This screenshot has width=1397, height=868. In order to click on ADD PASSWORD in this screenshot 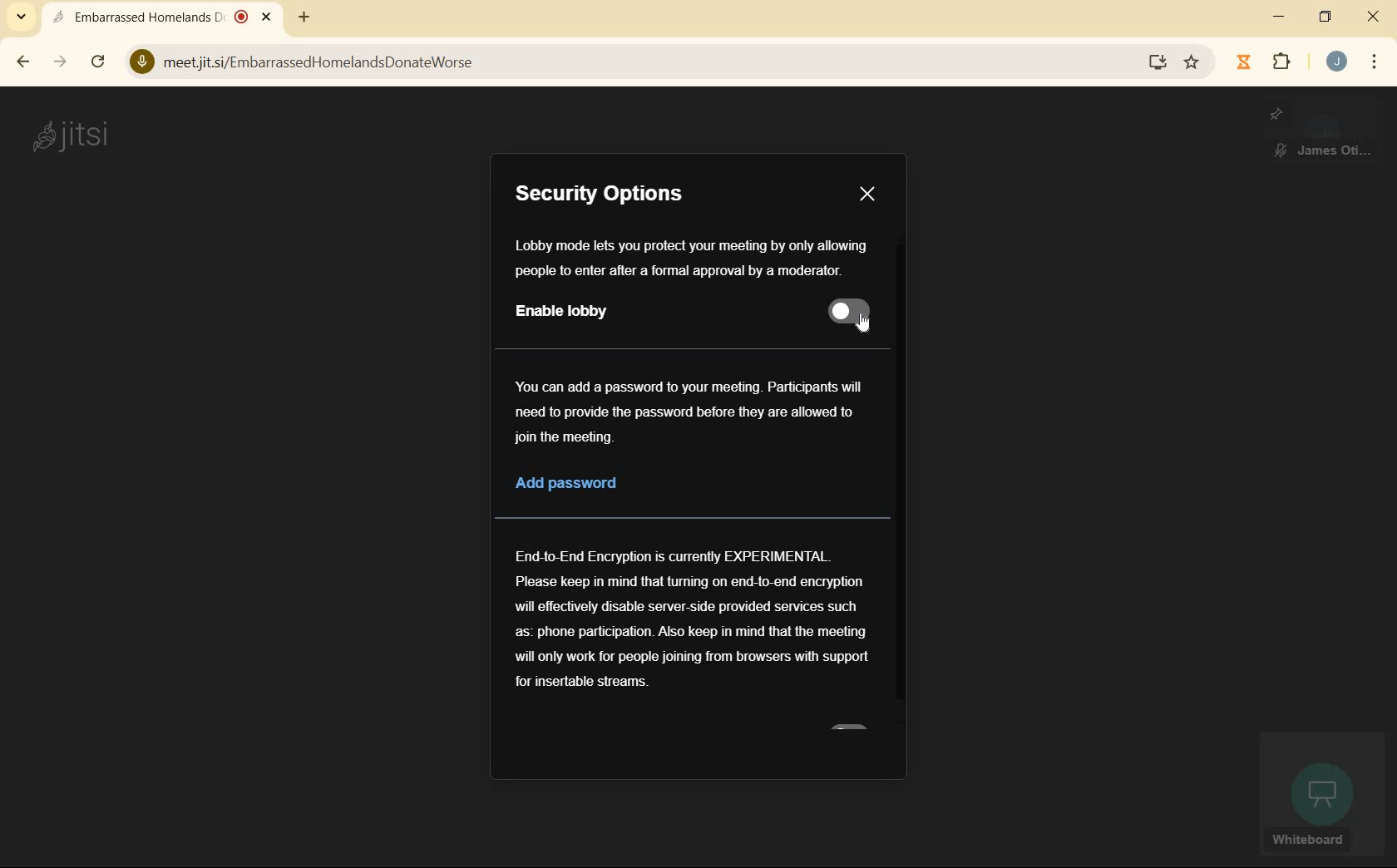, I will do `click(590, 485)`.